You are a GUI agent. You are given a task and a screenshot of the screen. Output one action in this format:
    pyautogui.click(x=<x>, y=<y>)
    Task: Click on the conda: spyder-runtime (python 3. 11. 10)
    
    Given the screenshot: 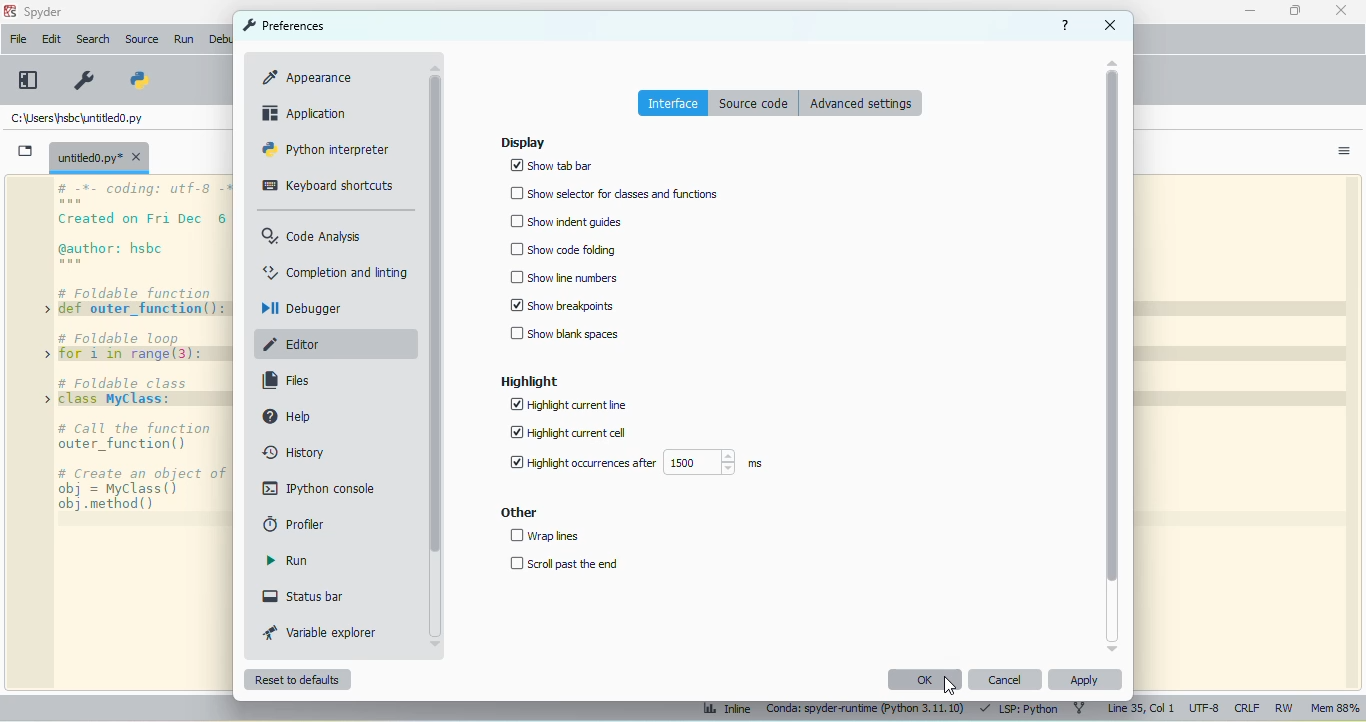 What is the action you would take?
    pyautogui.click(x=864, y=711)
    